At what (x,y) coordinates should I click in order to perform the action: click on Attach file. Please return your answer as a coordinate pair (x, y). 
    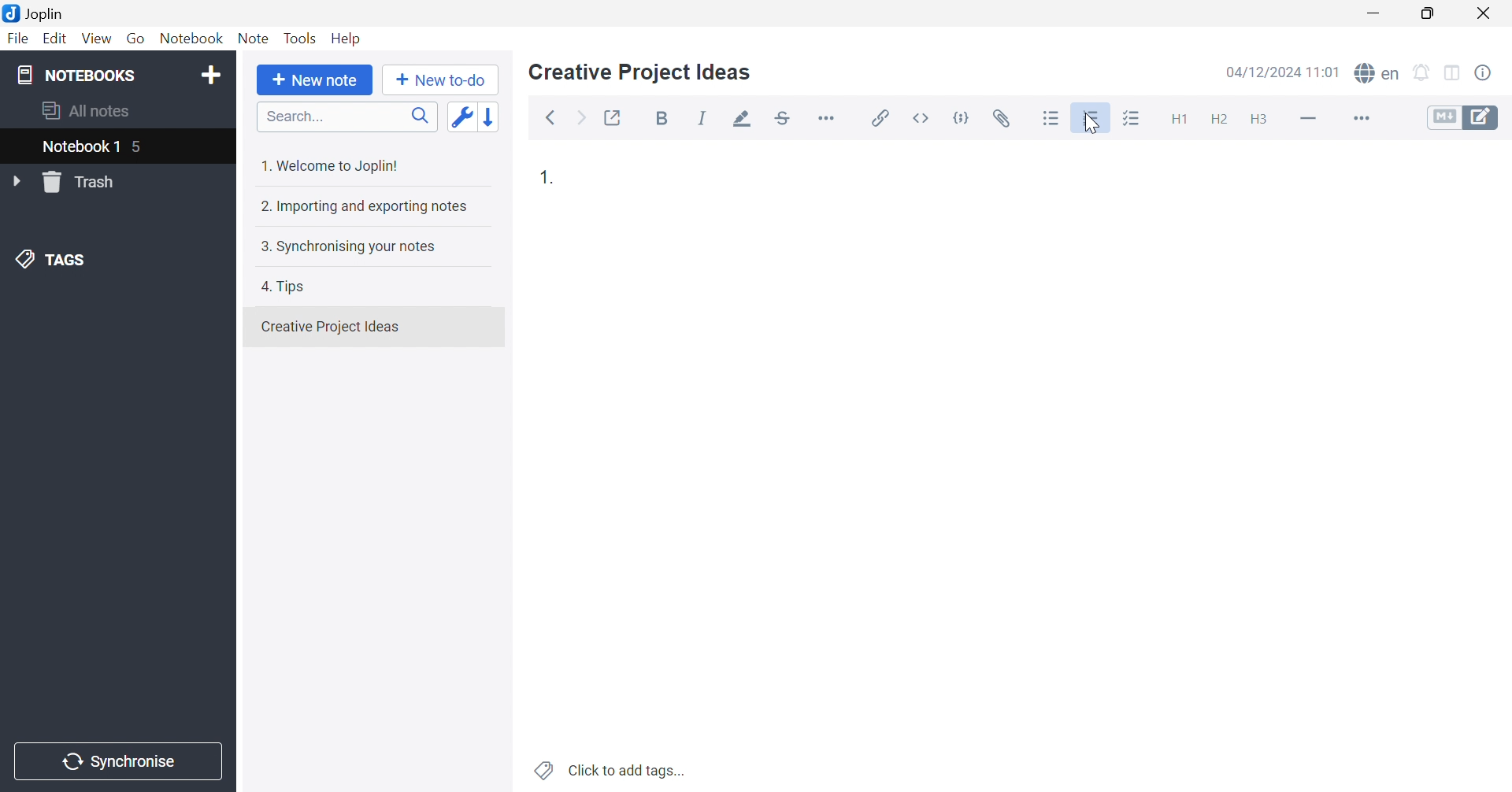
    Looking at the image, I should click on (1007, 120).